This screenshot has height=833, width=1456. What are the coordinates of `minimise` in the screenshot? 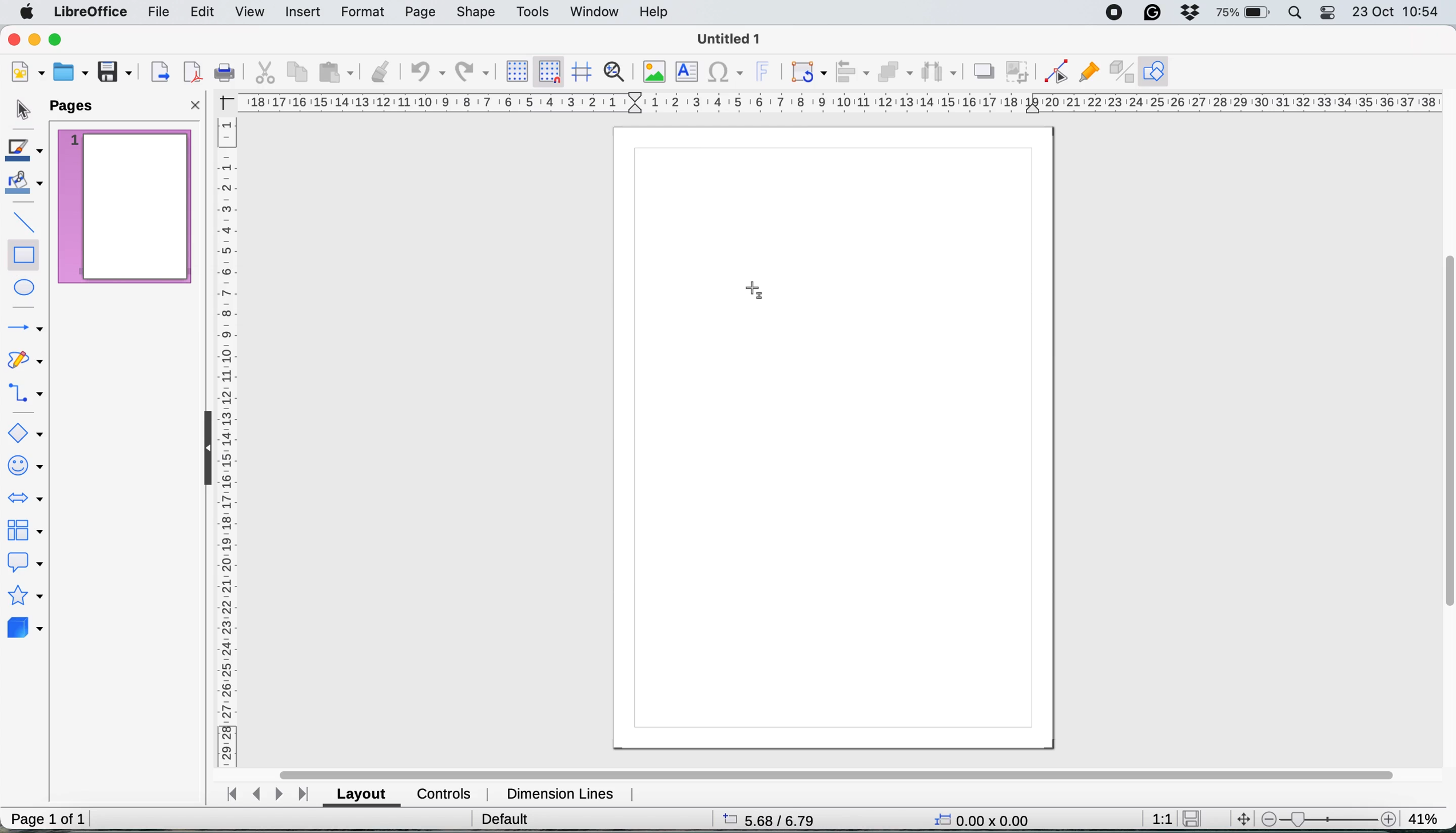 It's located at (34, 38).